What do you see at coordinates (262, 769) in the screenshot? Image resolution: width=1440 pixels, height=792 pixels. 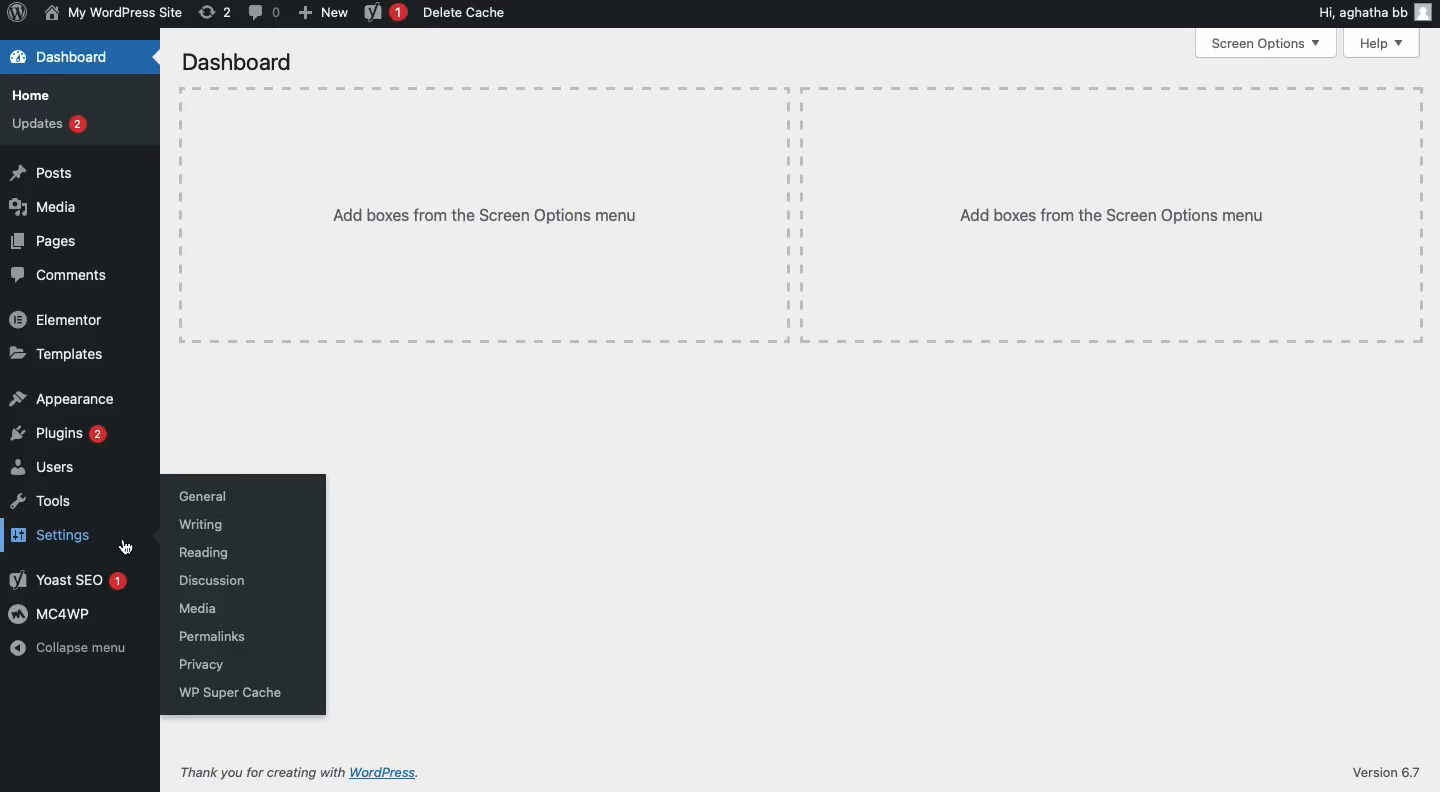 I see `Thank you for creating with` at bounding box center [262, 769].